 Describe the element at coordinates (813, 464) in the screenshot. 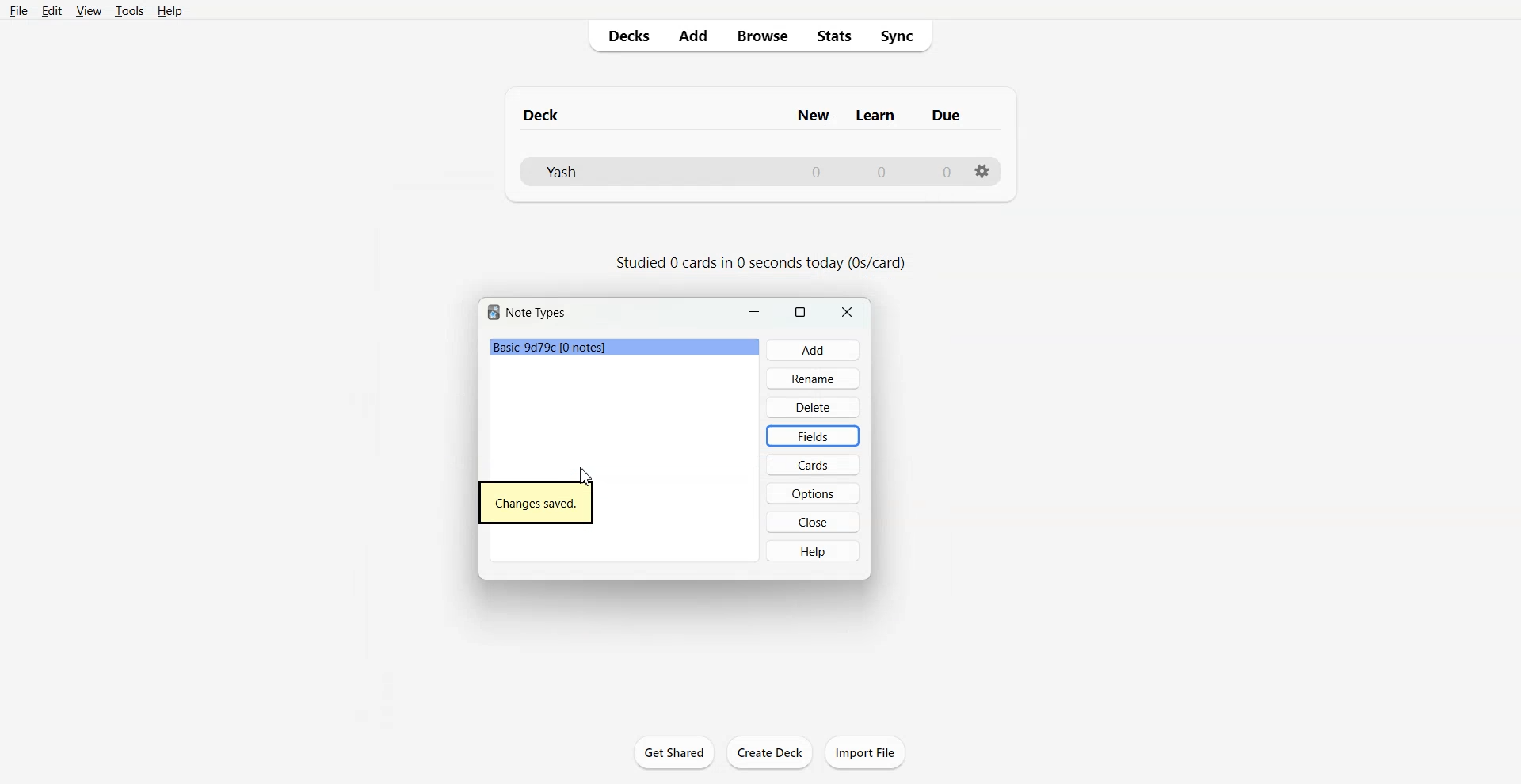

I see `Cards` at that location.